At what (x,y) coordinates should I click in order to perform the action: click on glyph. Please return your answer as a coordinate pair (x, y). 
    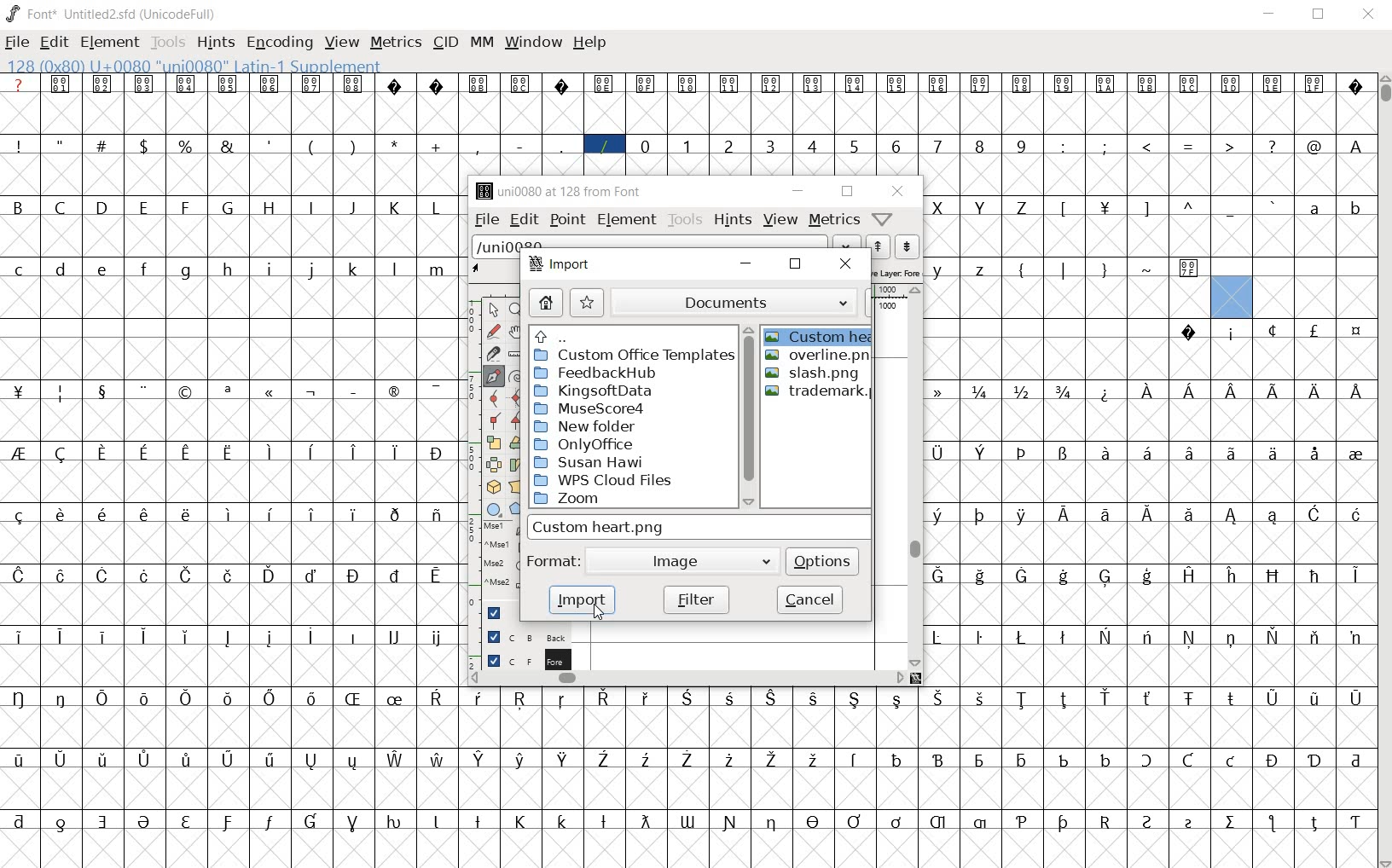
    Looking at the image, I should click on (228, 206).